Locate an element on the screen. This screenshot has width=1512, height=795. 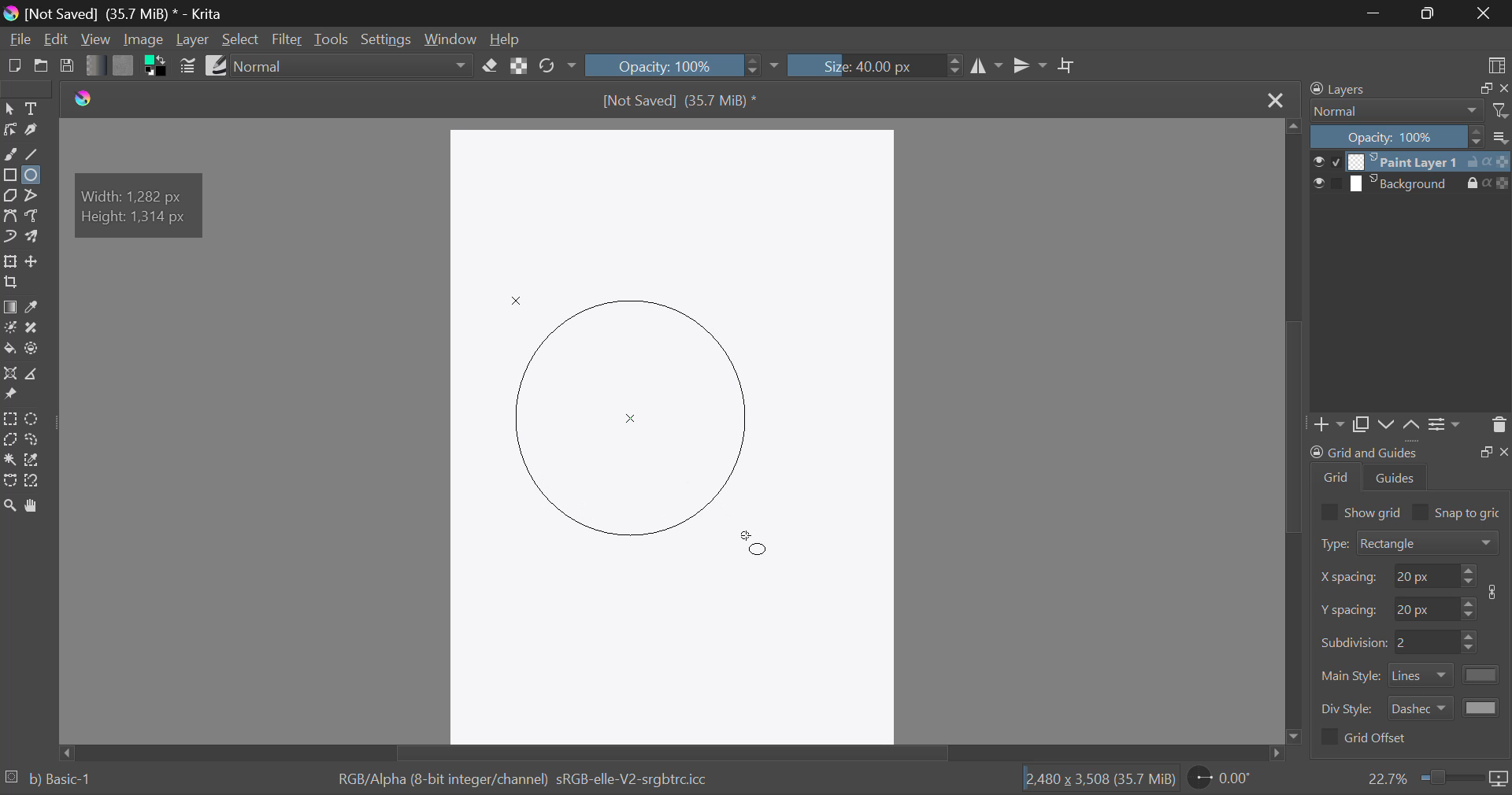
DRAG_TO Cursor Position is located at coordinates (758, 549).